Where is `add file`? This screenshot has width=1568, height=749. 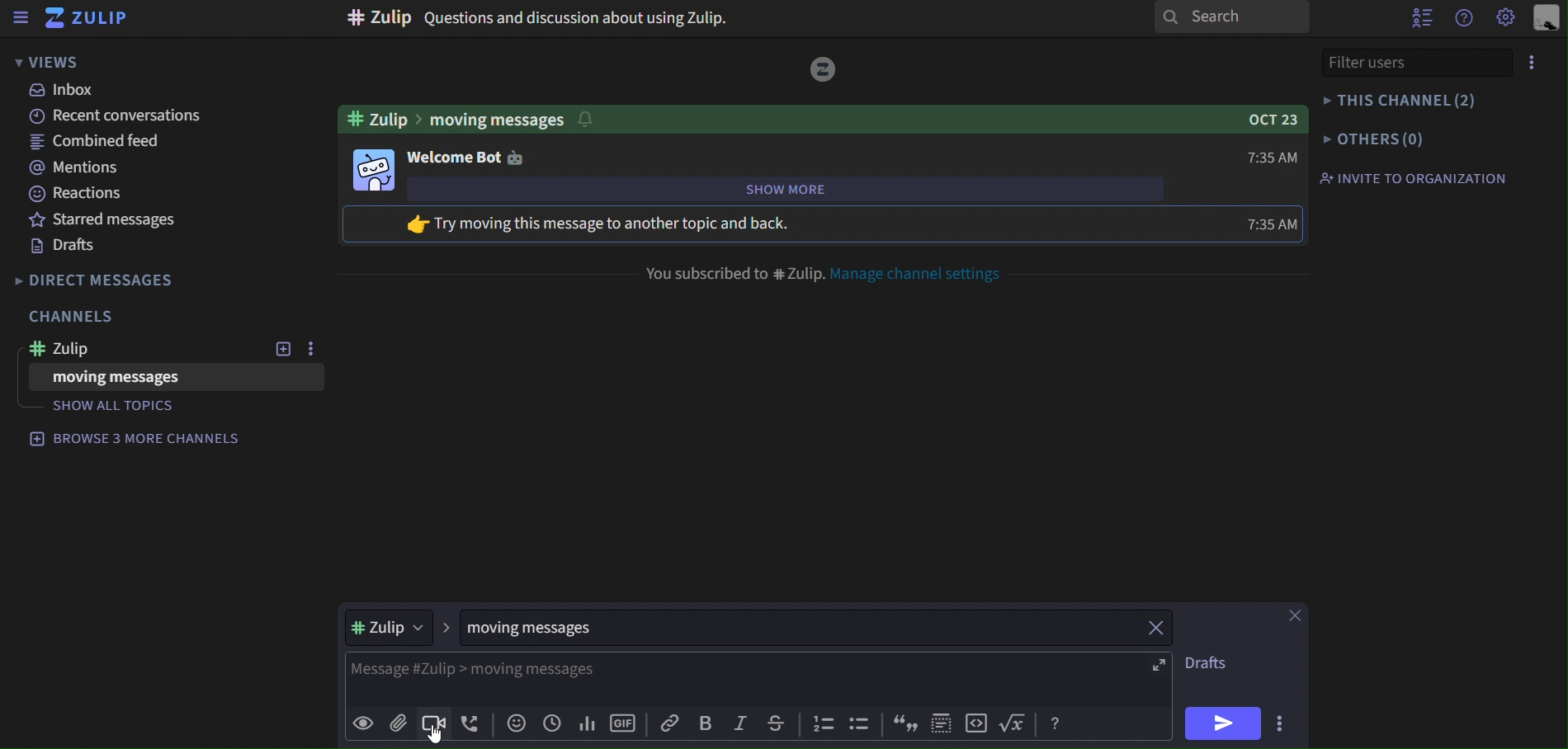
add file is located at coordinates (396, 723).